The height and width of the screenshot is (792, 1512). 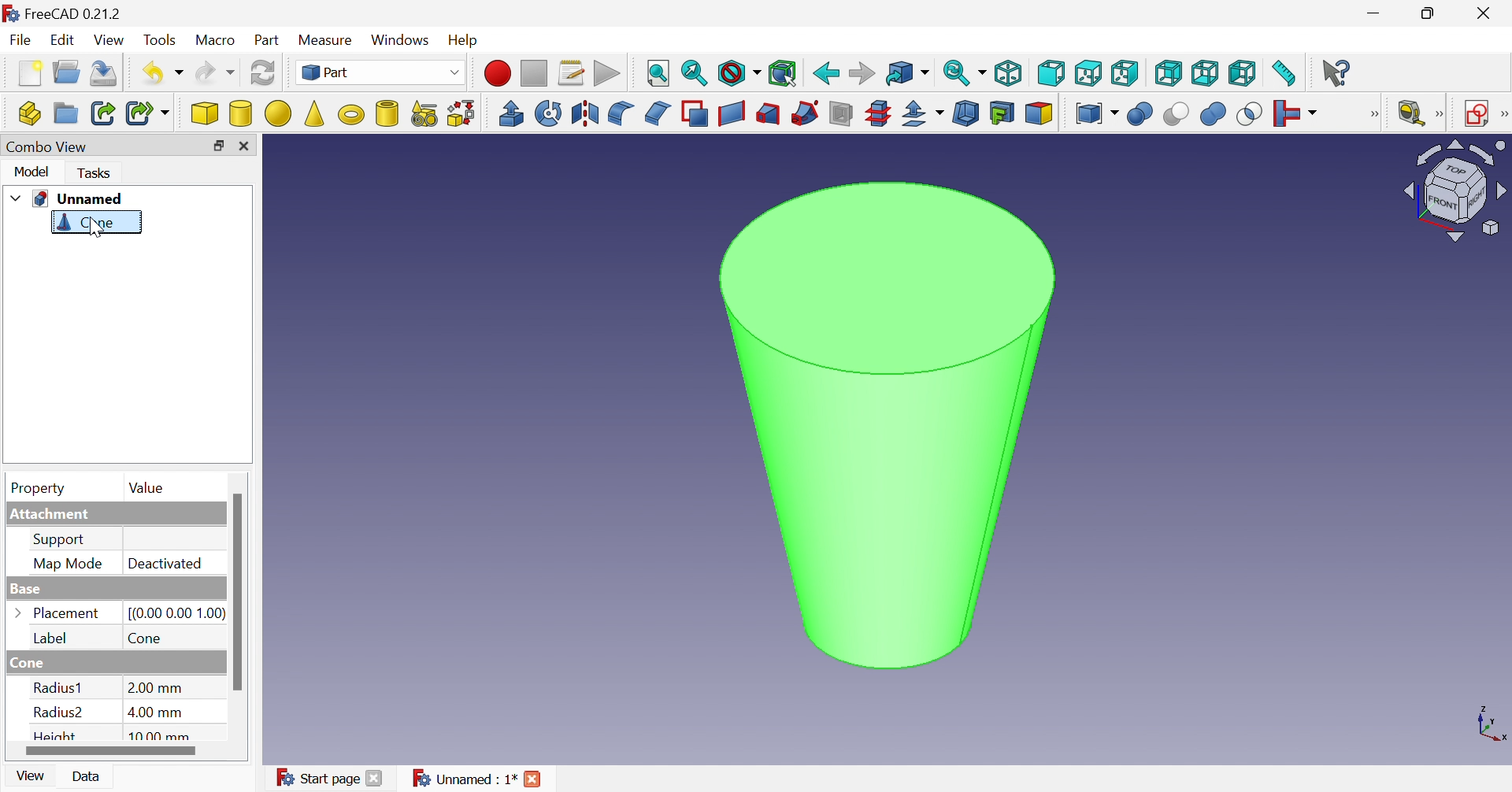 What do you see at coordinates (313, 113) in the screenshot?
I see `Cone` at bounding box center [313, 113].